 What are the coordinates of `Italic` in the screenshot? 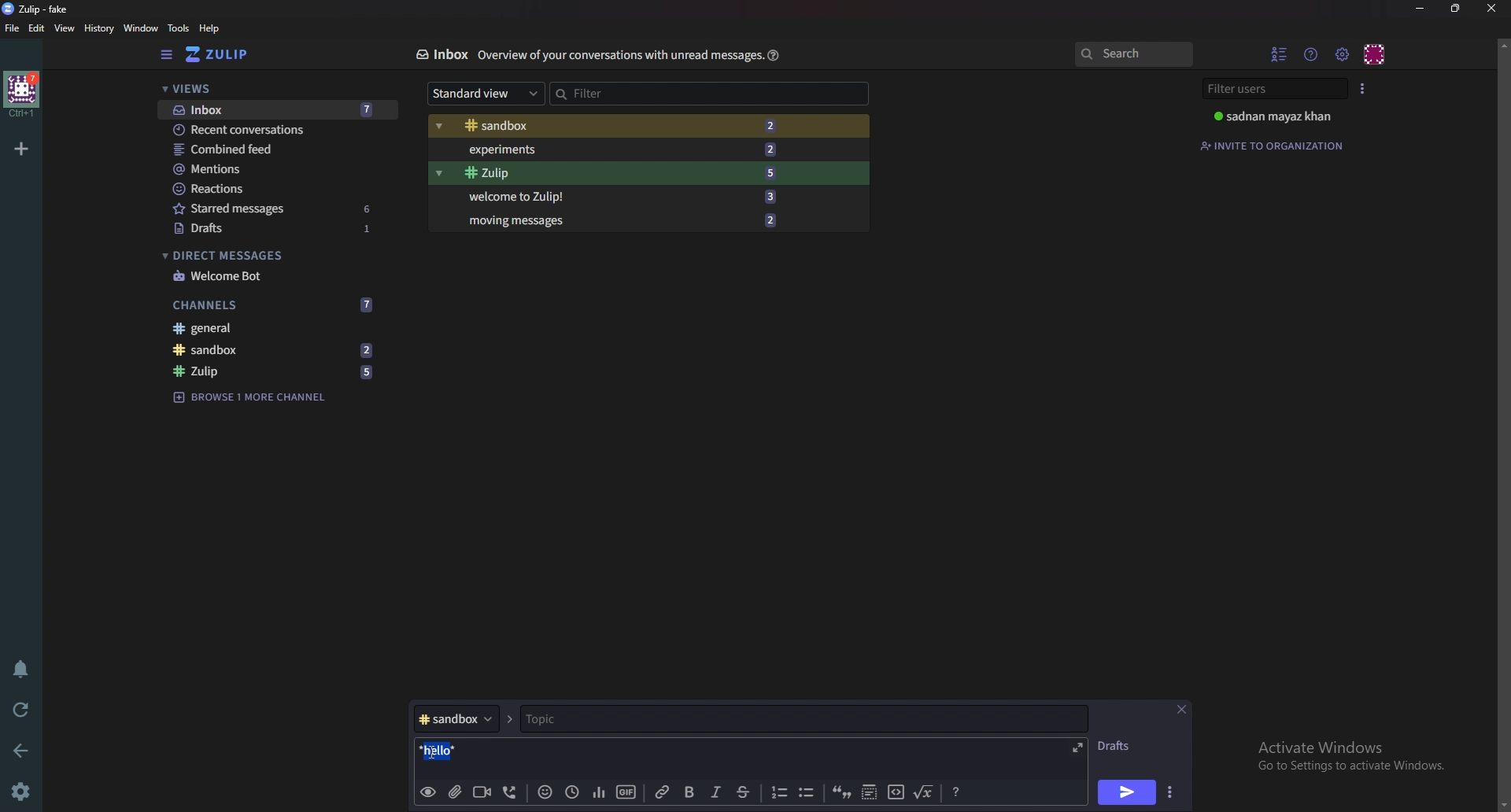 It's located at (716, 794).